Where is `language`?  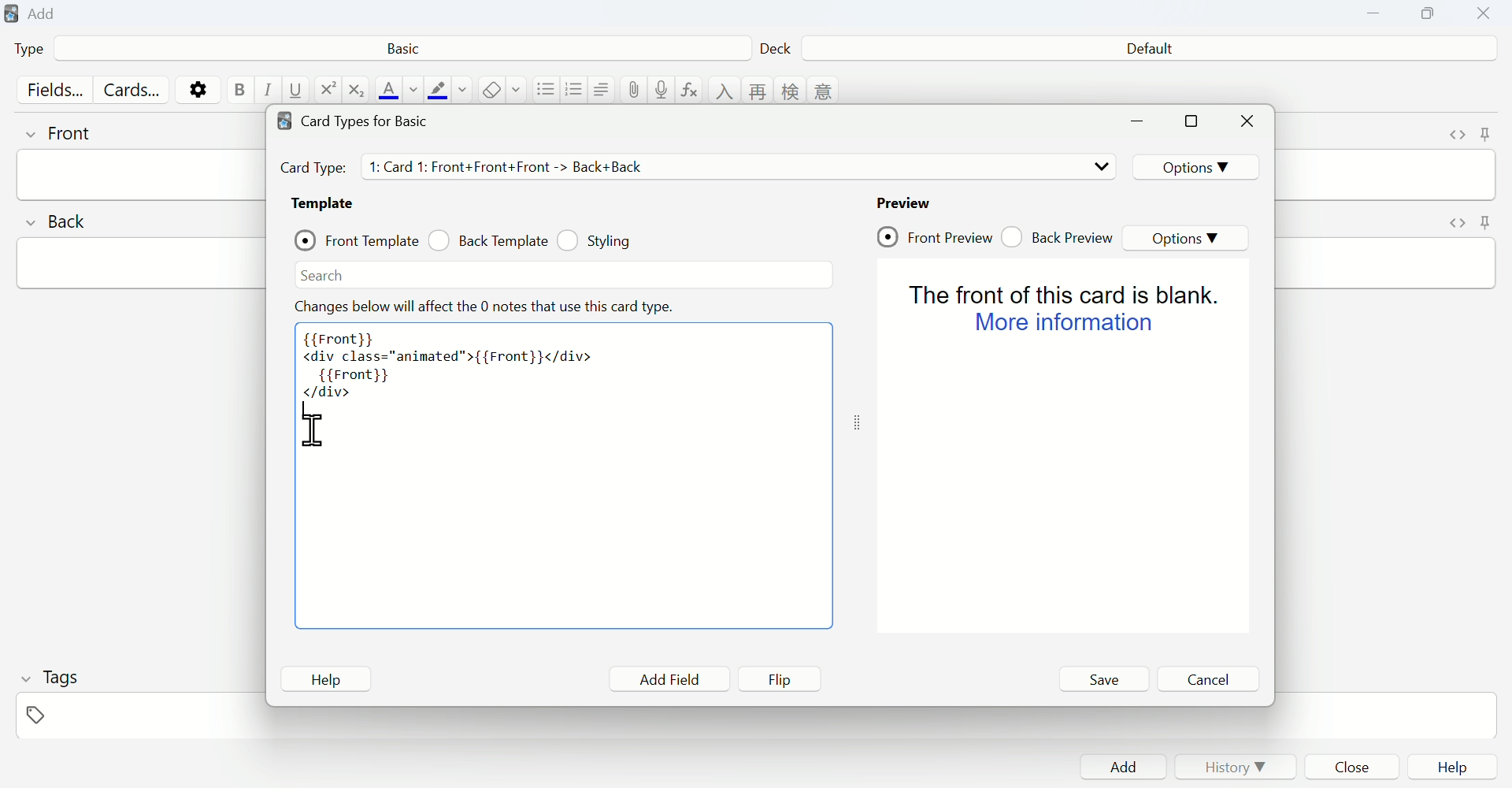
language is located at coordinates (791, 90).